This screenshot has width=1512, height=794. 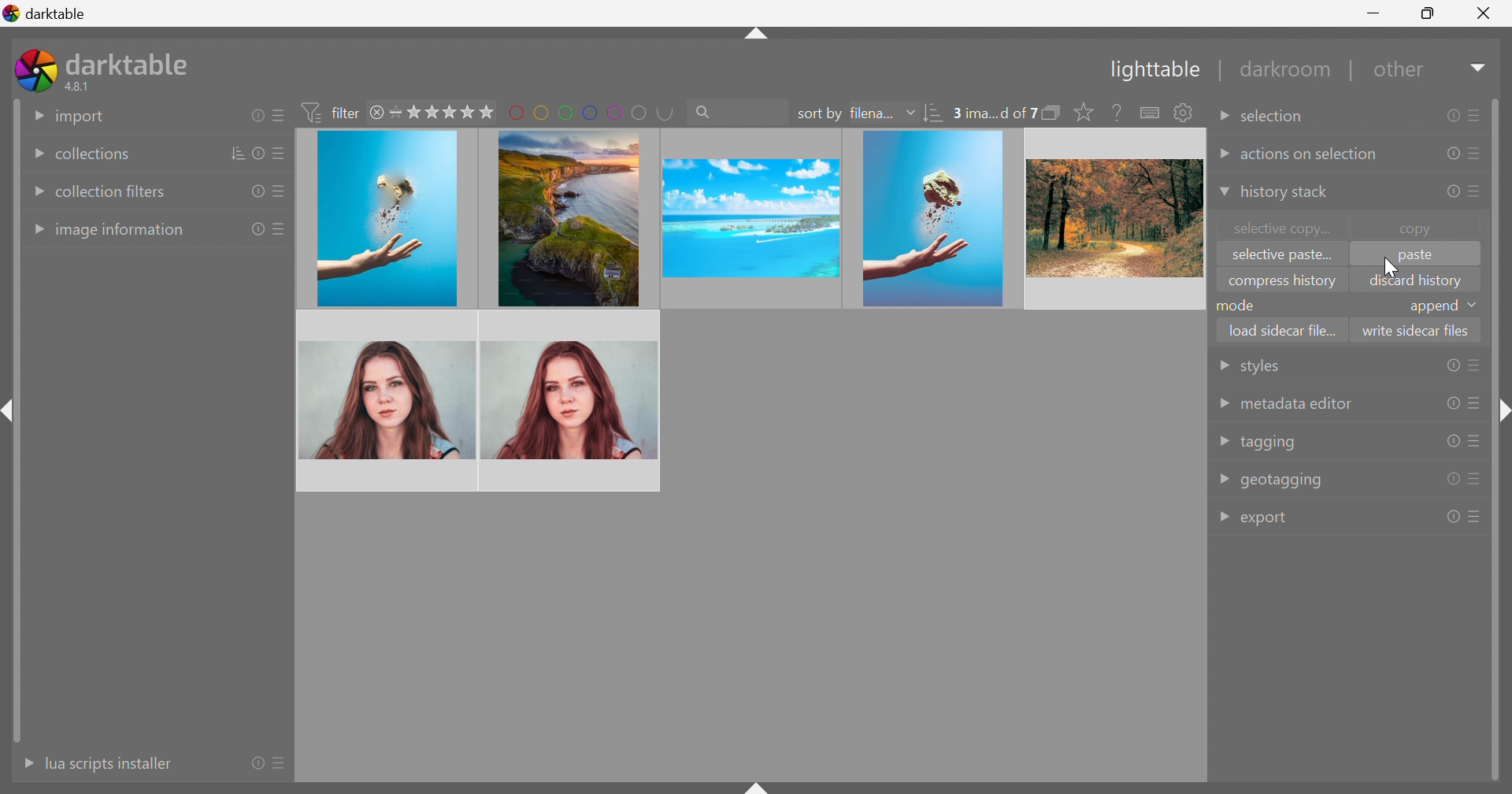 I want to click on Cursor, so click(x=1390, y=266).